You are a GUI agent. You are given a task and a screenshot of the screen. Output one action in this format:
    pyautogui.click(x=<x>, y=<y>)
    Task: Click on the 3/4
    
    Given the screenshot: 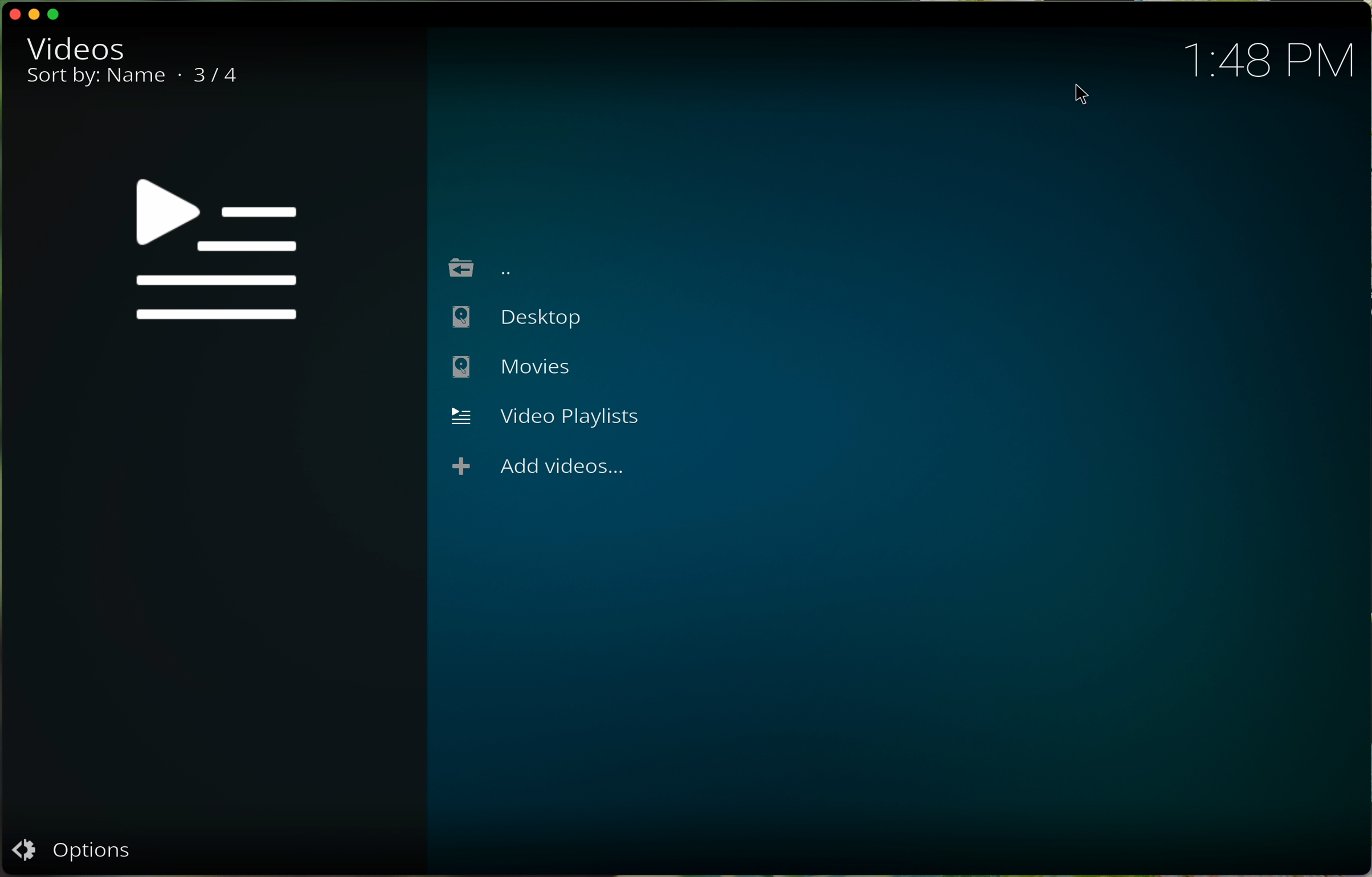 What is the action you would take?
    pyautogui.click(x=217, y=74)
    